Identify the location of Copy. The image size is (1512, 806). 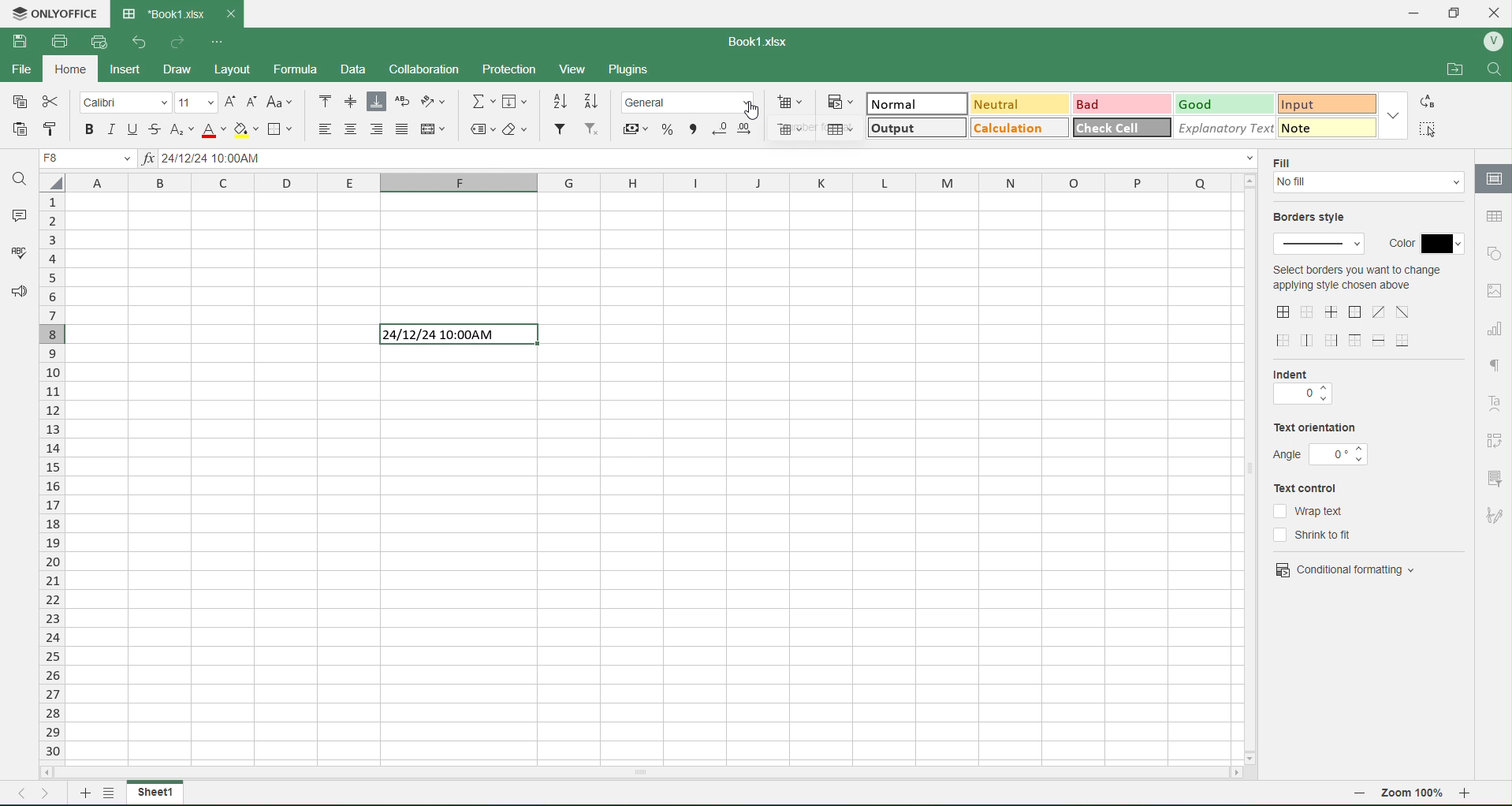
(20, 103).